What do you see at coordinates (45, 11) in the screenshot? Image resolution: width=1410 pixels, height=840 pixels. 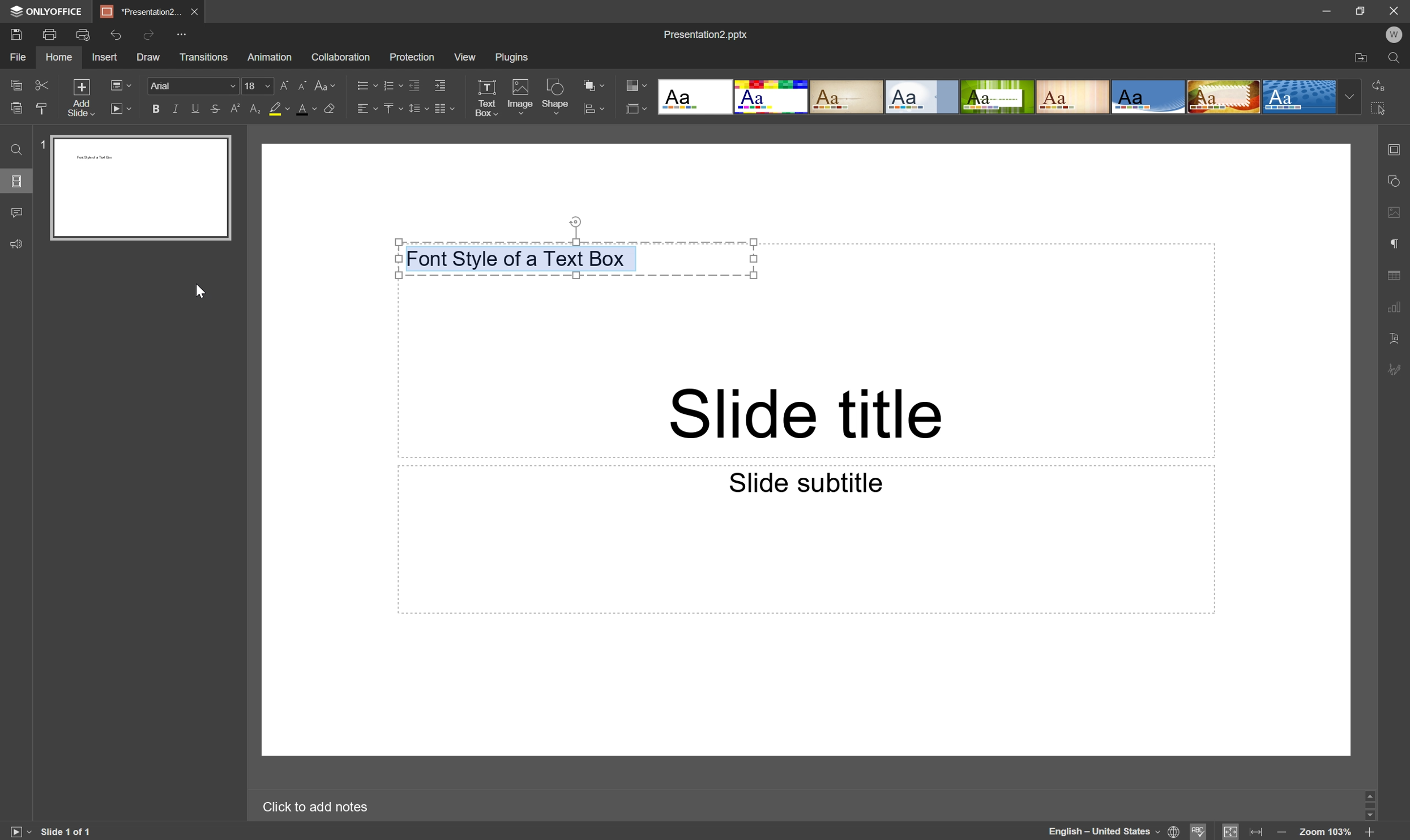 I see `ONLYOFFICE` at bounding box center [45, 11].